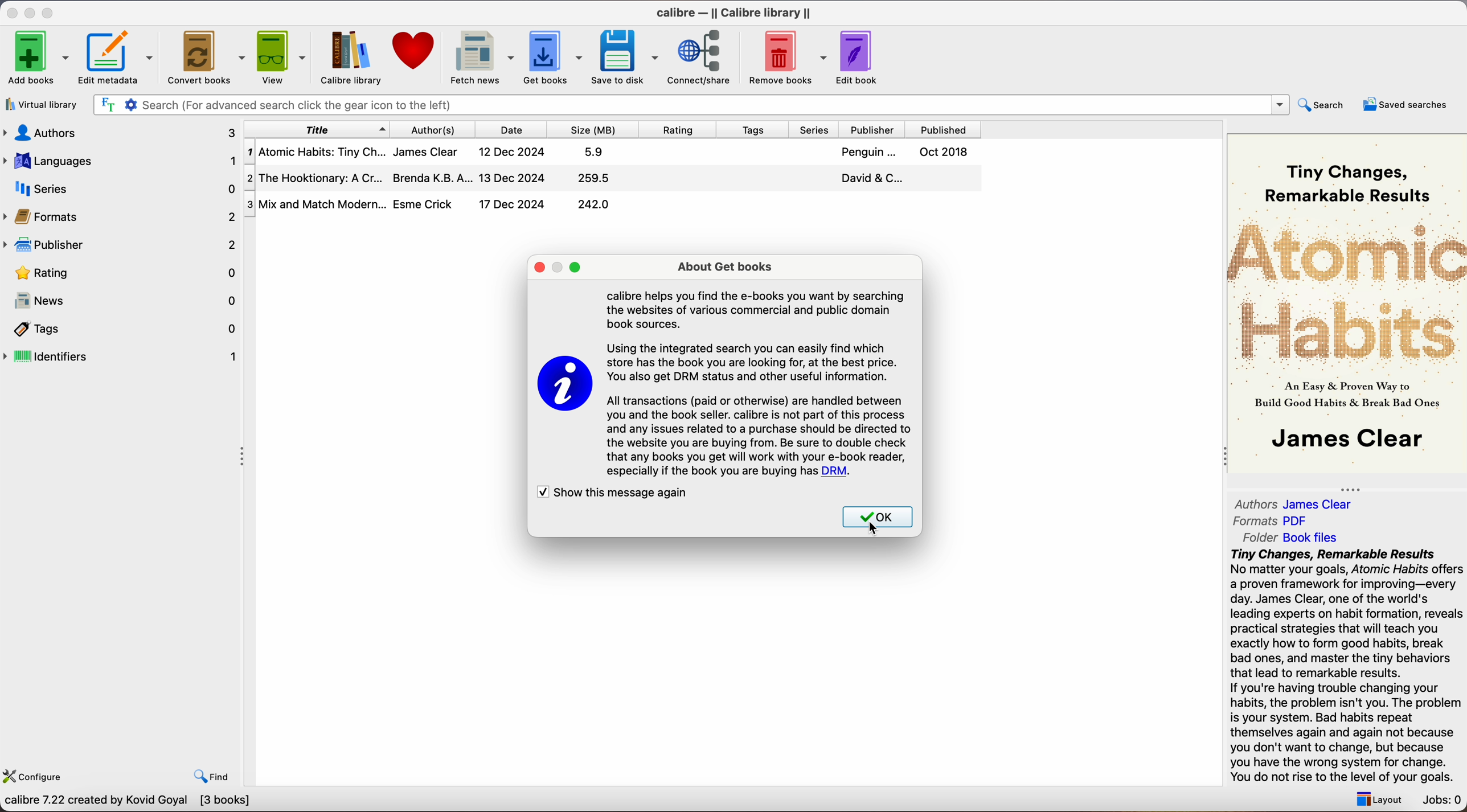 This screenshot has height=812, width=1467. What do you see at coordinates (1292, 537) in the screenshot?
I see `folder Book files` at bounding box center [1292, 537].